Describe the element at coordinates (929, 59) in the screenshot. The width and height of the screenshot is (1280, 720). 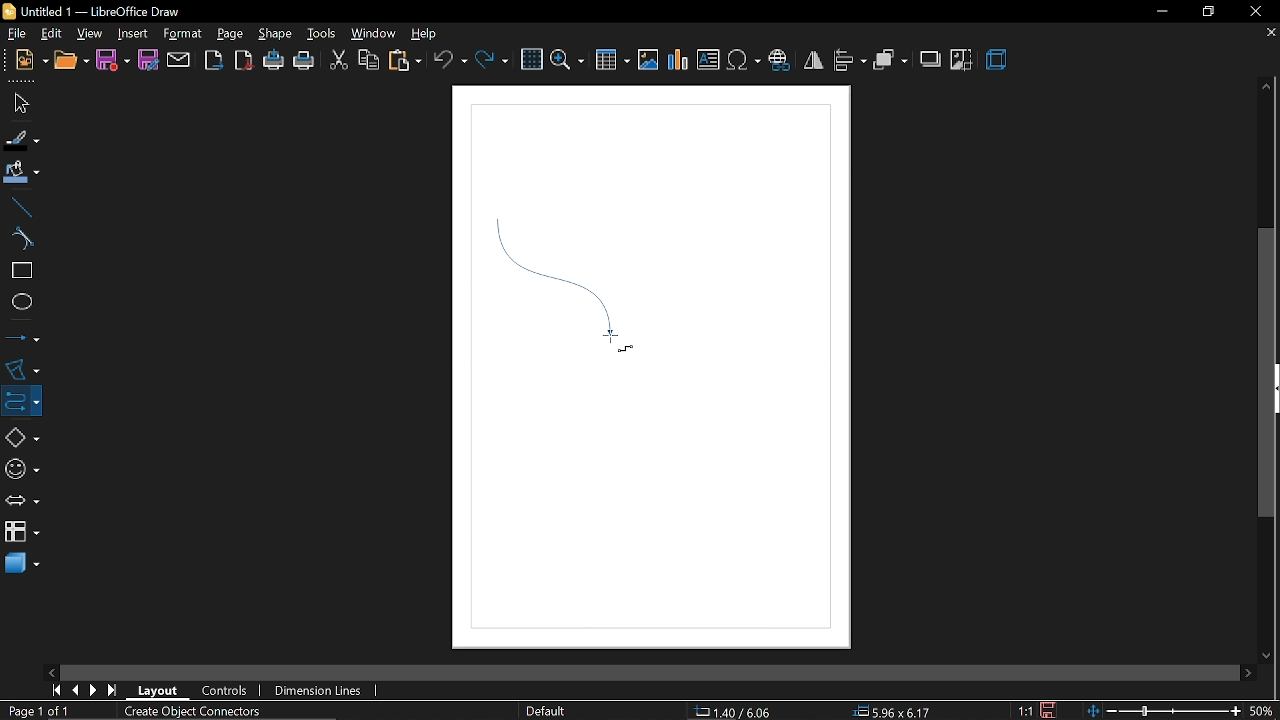
I see `shadow` at that location.